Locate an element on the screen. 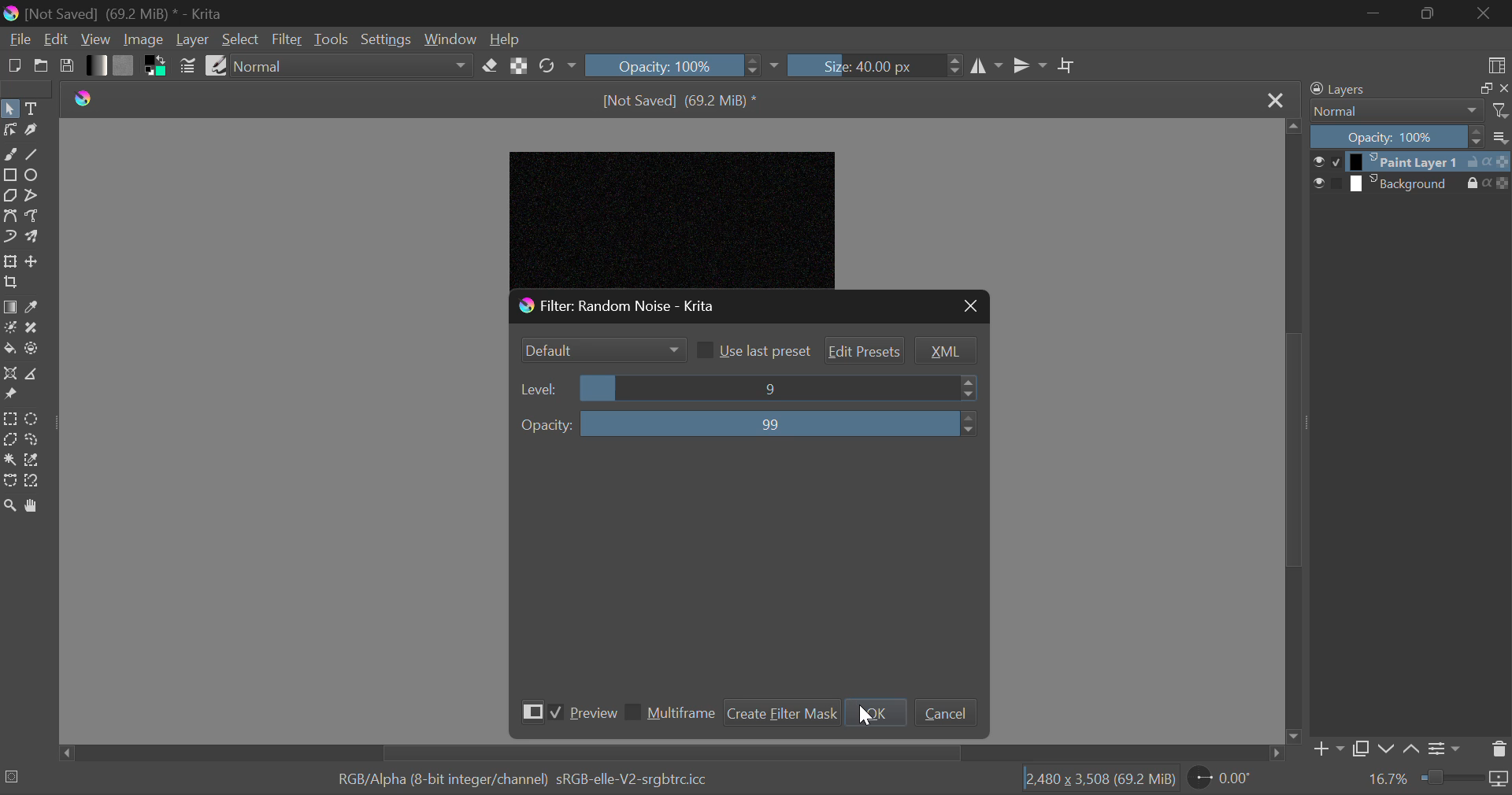 Image resolution: width=1512 pixels, height=795 pixels. Text is located at coordinates (32, 107).